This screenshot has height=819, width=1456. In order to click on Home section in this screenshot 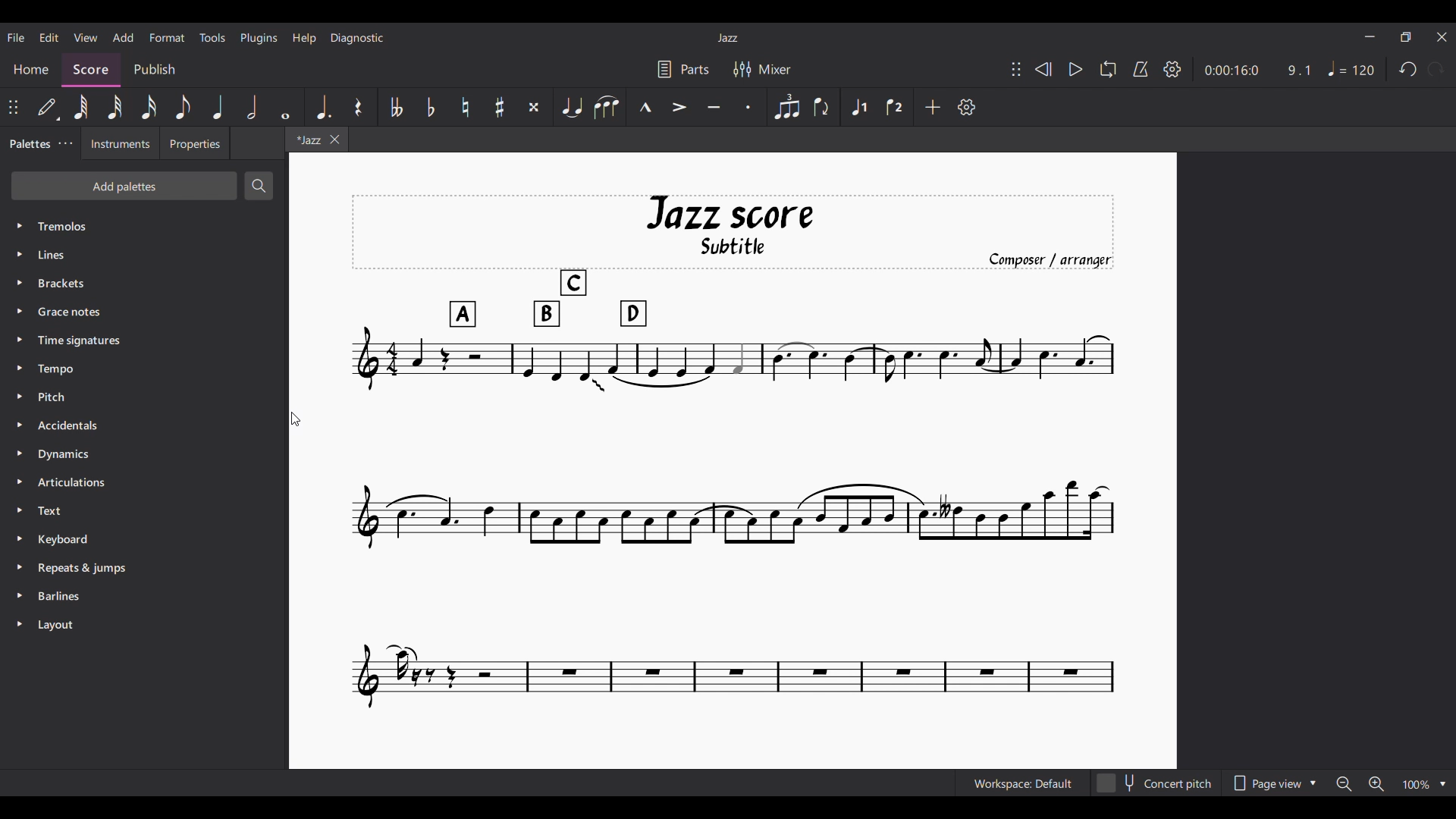, I will do `click(31, 71)`.